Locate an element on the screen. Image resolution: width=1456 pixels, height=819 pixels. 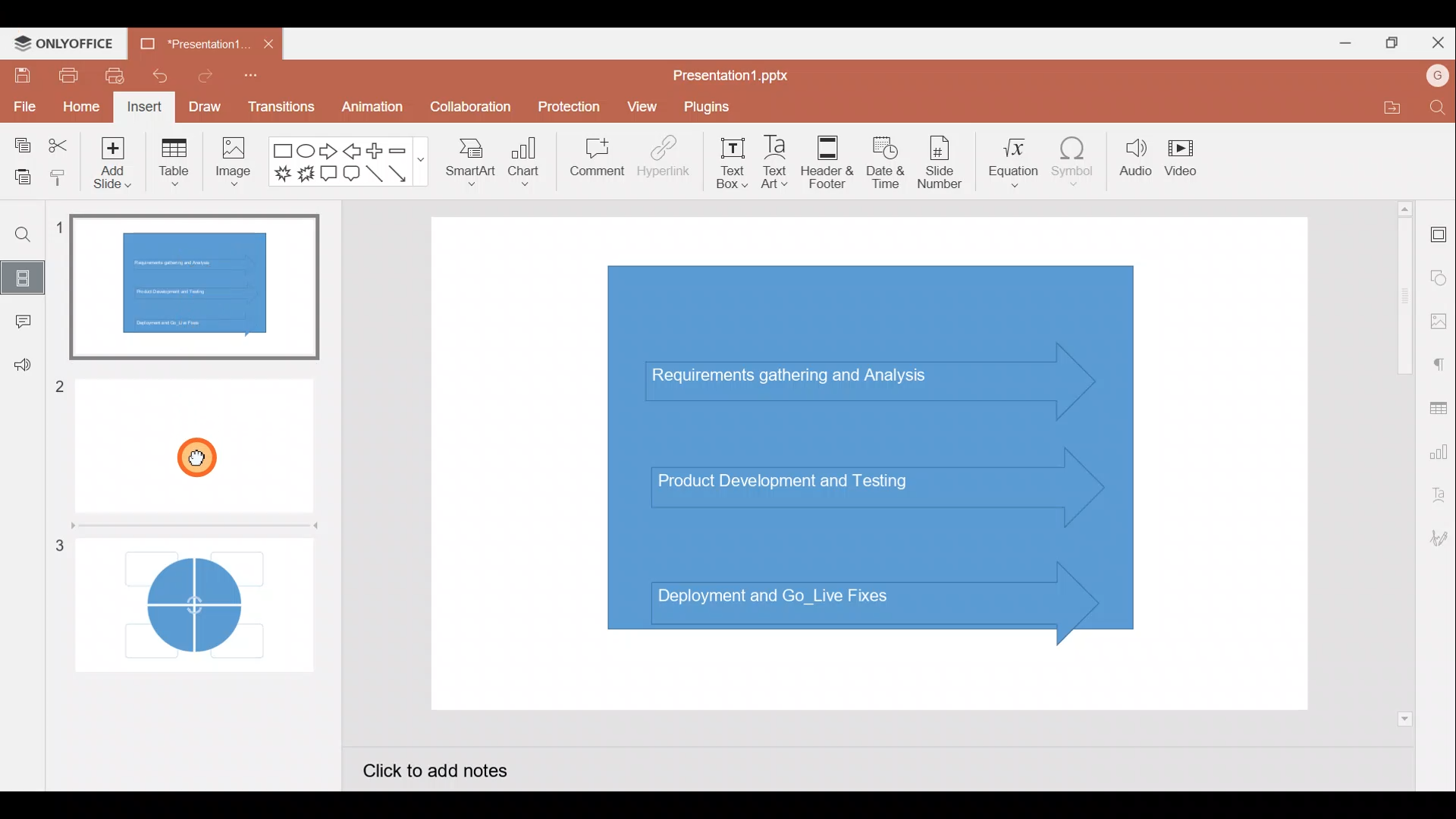
Signature settings is located at coordinates (1436, 538).